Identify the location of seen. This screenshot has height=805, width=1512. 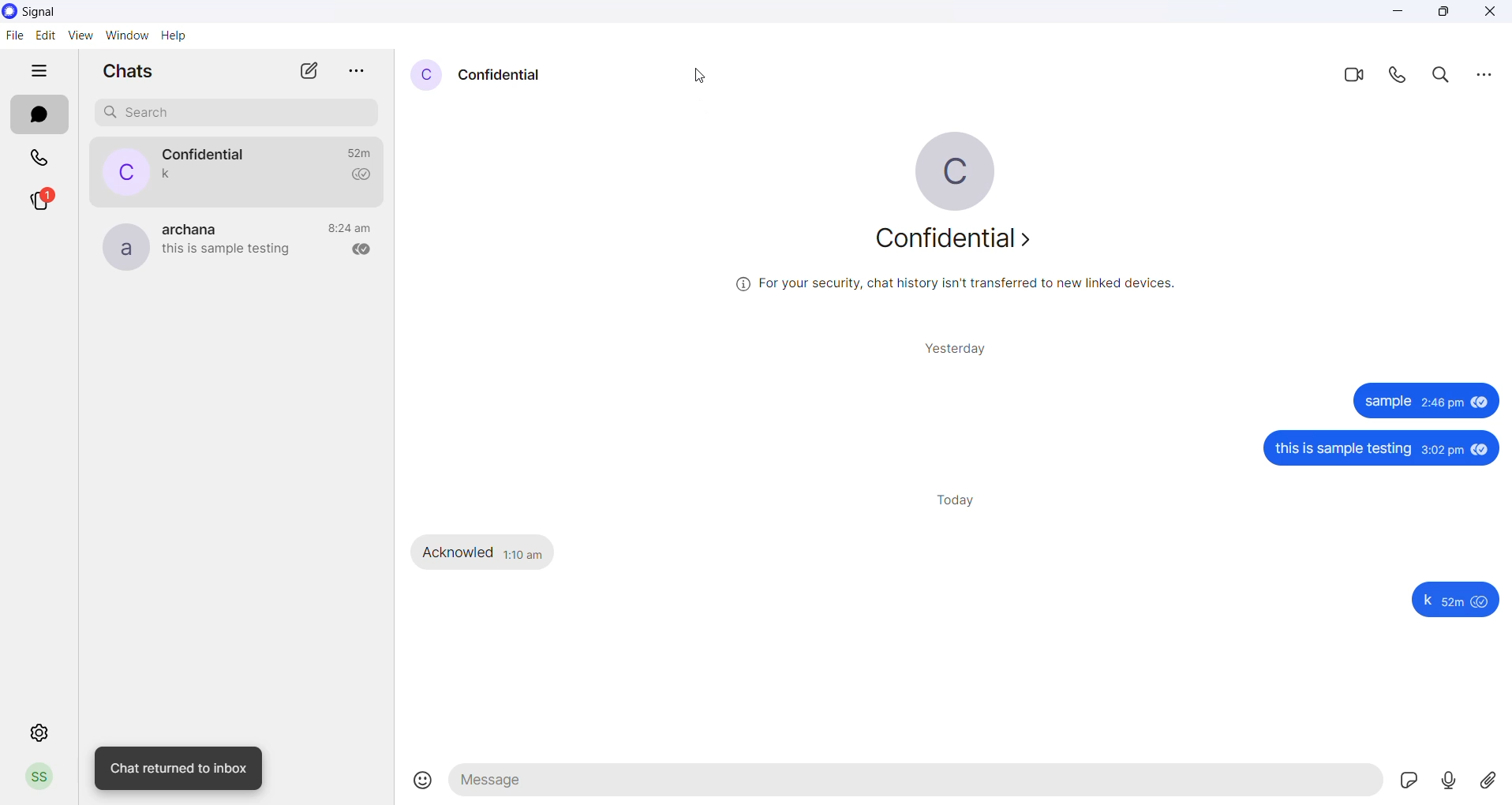
(1483, 603).